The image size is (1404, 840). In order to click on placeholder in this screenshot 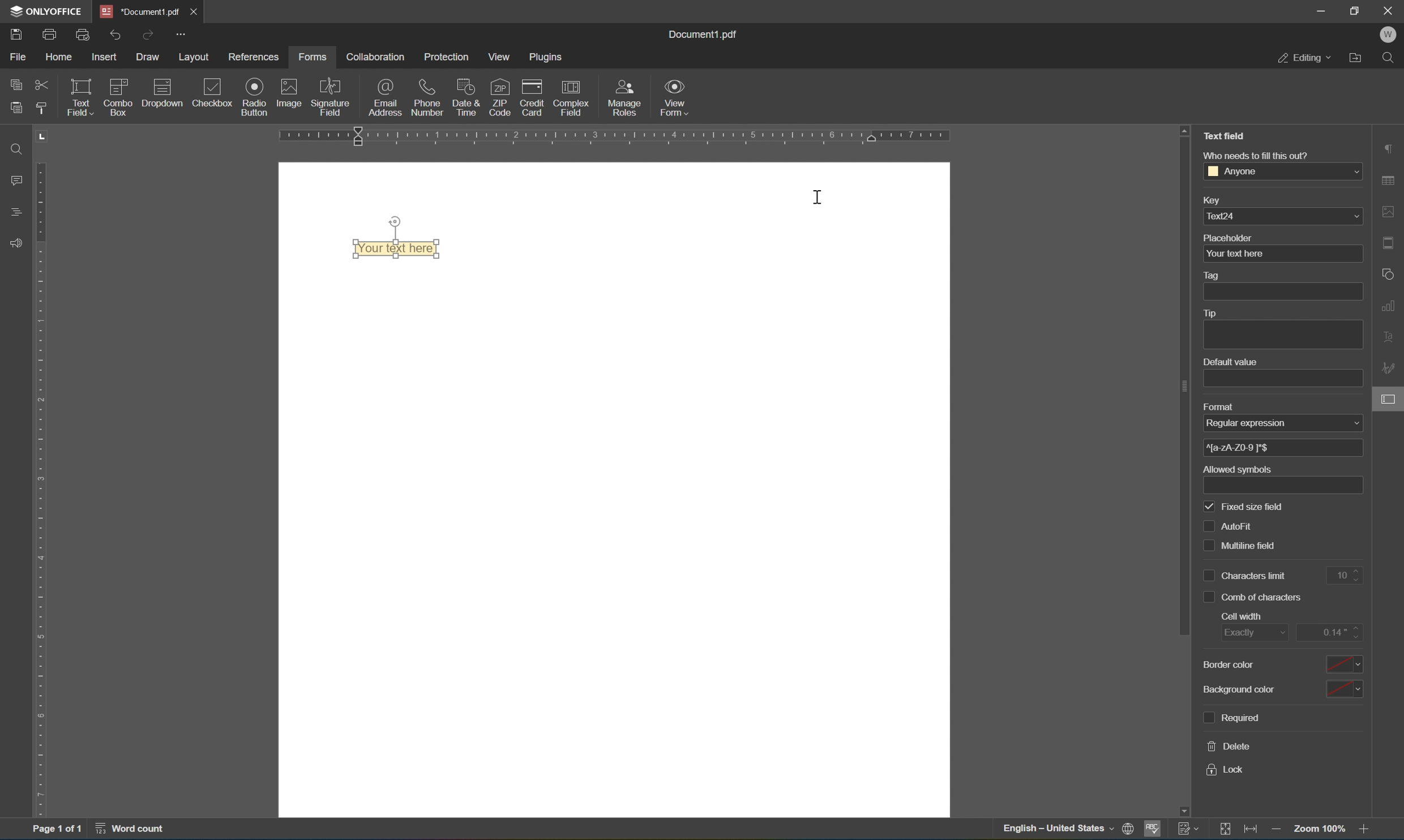, I will do `click(1228, 238)`.